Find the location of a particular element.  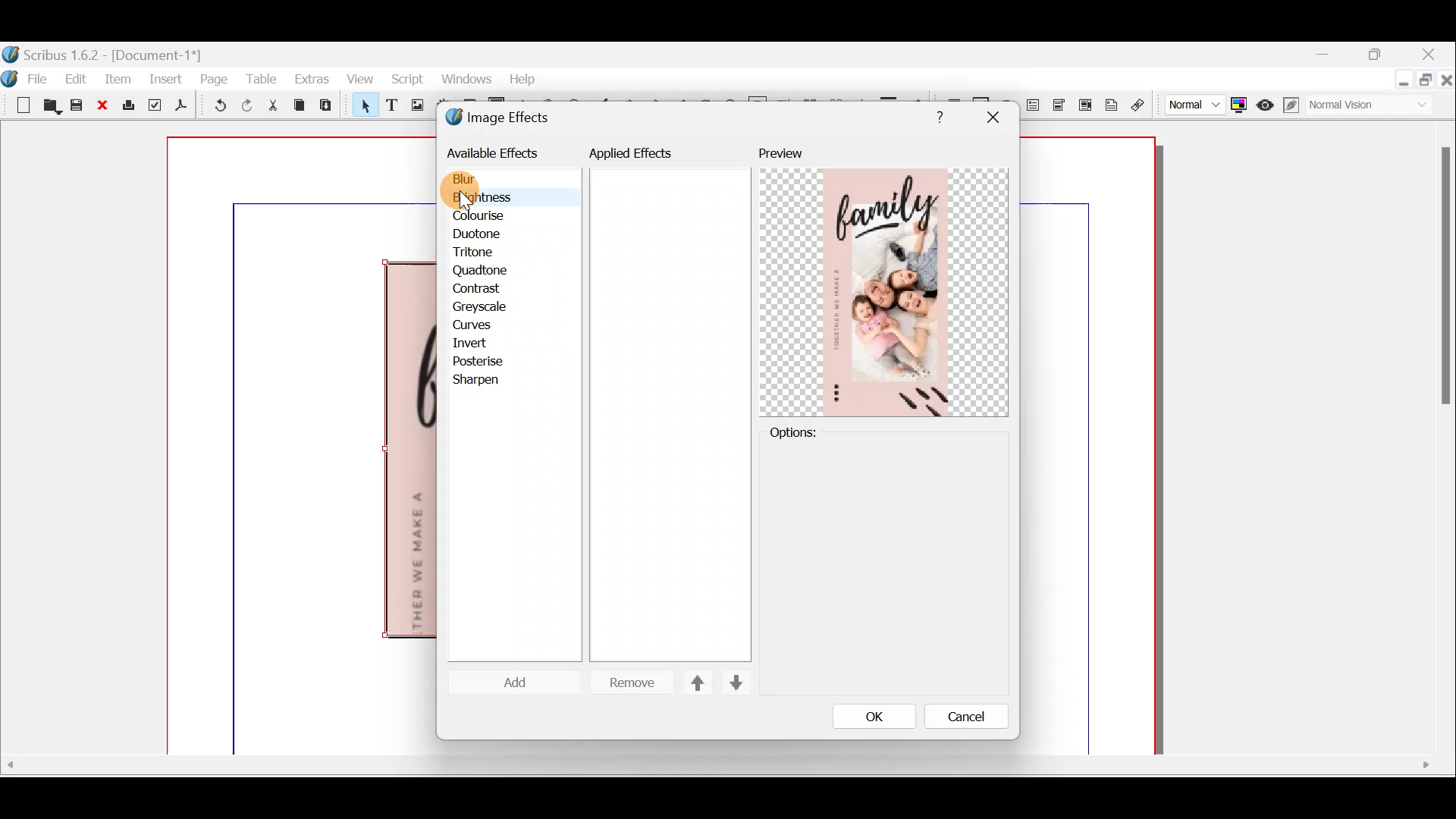

Options is located at coordinates (818, 431).